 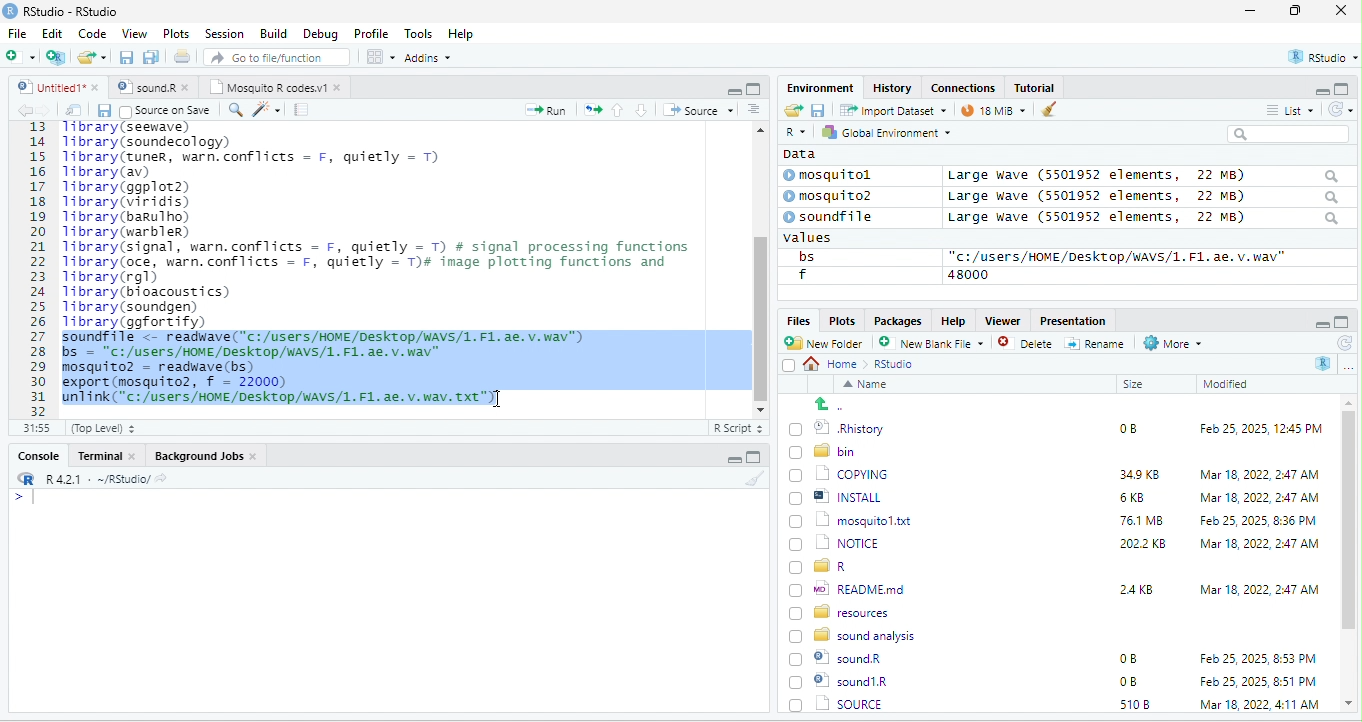 I want to click on Mosquito R codes.v1, so click(x=276, y=87).